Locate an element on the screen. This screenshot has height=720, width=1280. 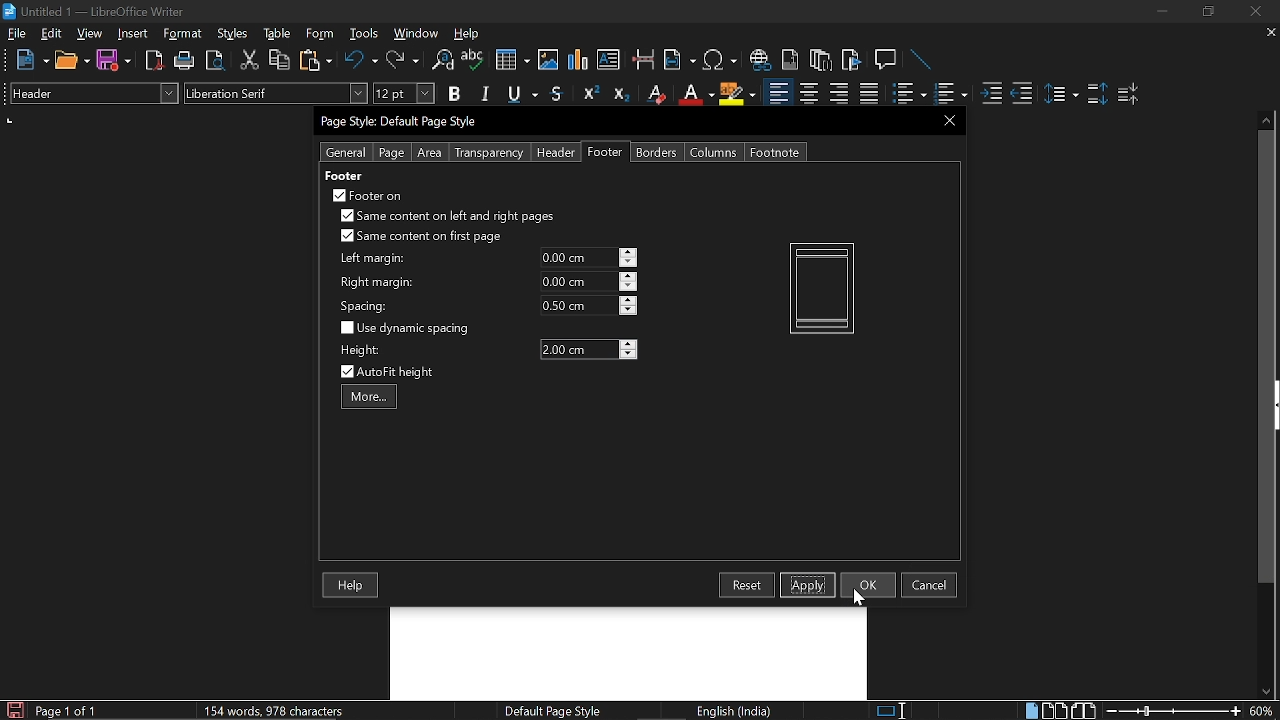
Current pageview is located at coordinates (822, 288).